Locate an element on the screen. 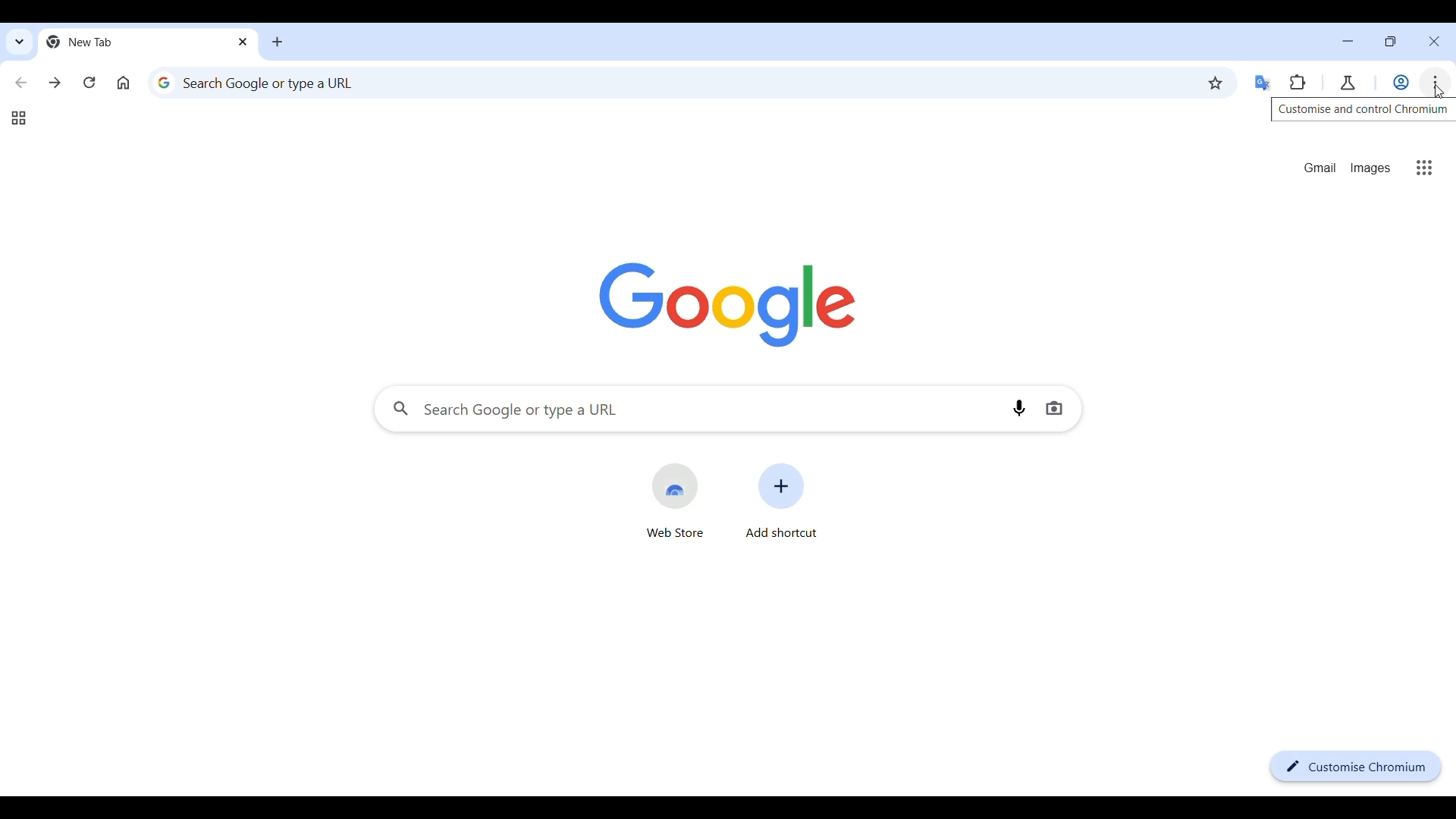 The width and height of the screenshot is (1456, 819). customise and control chromium is located at coordinates (1363, 112).